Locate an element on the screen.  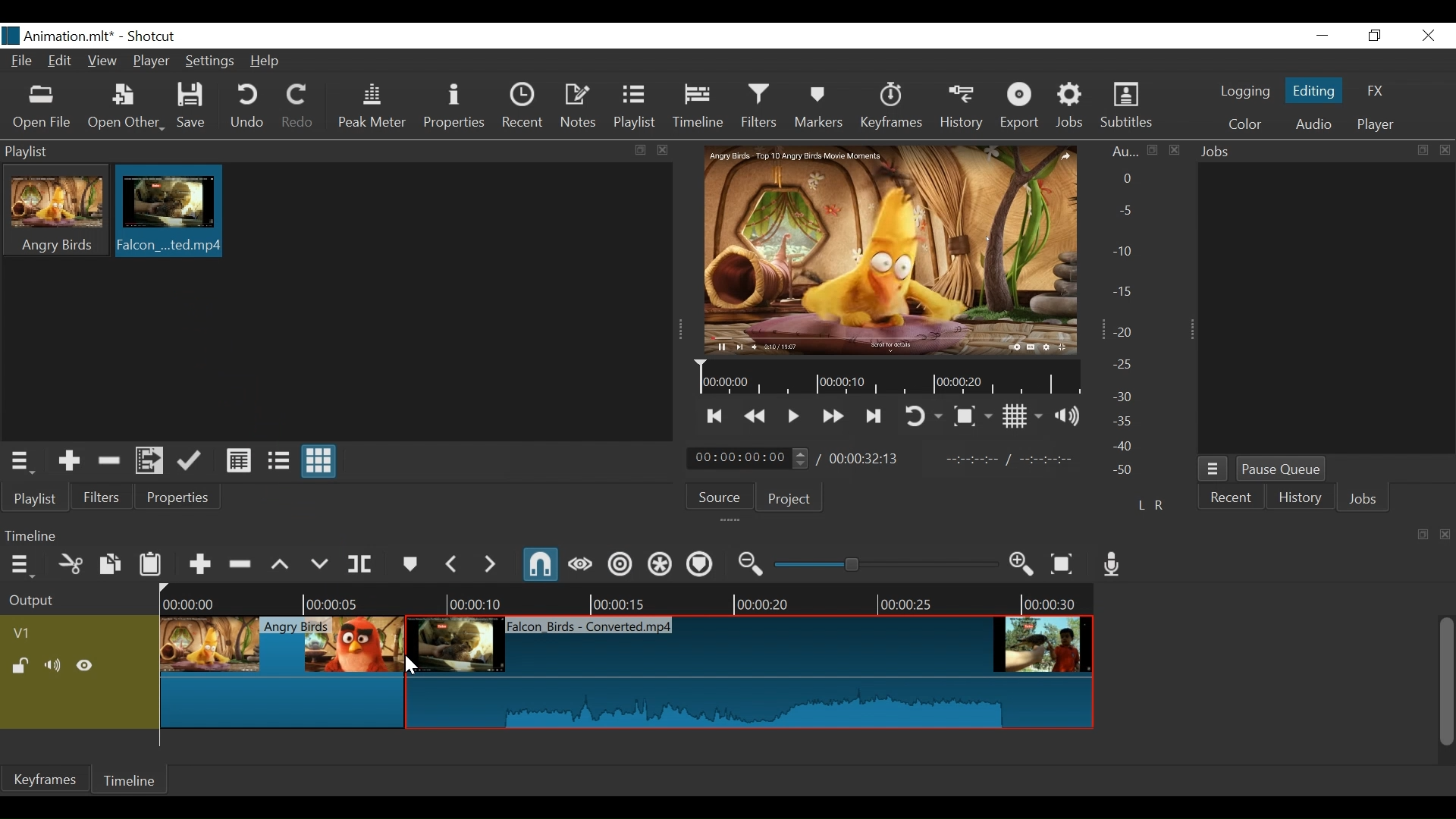
Scrub while dragging is located at coordinates (580, 565).